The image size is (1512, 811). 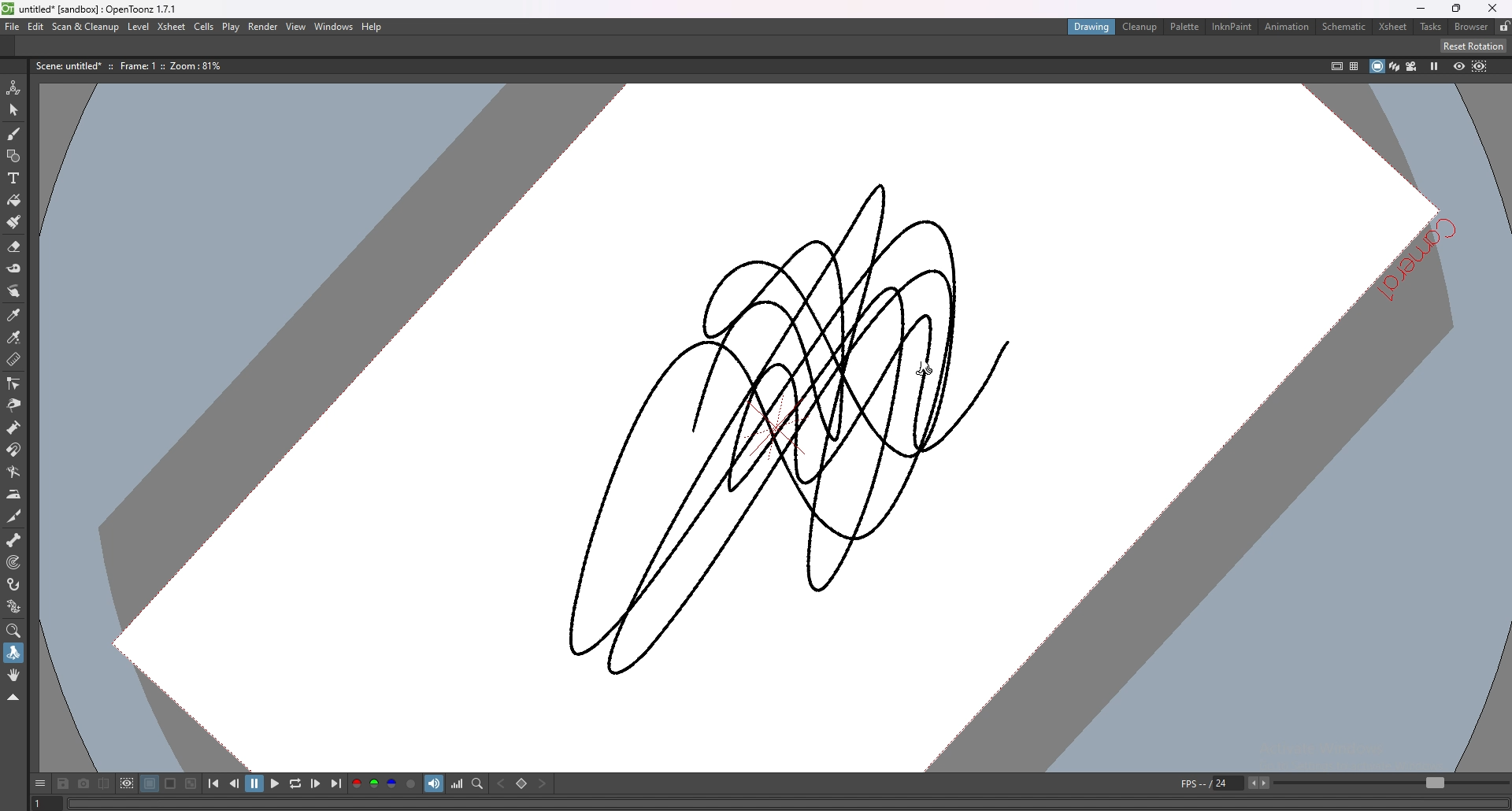 I want to click on windows, so click(x=333, y=26).